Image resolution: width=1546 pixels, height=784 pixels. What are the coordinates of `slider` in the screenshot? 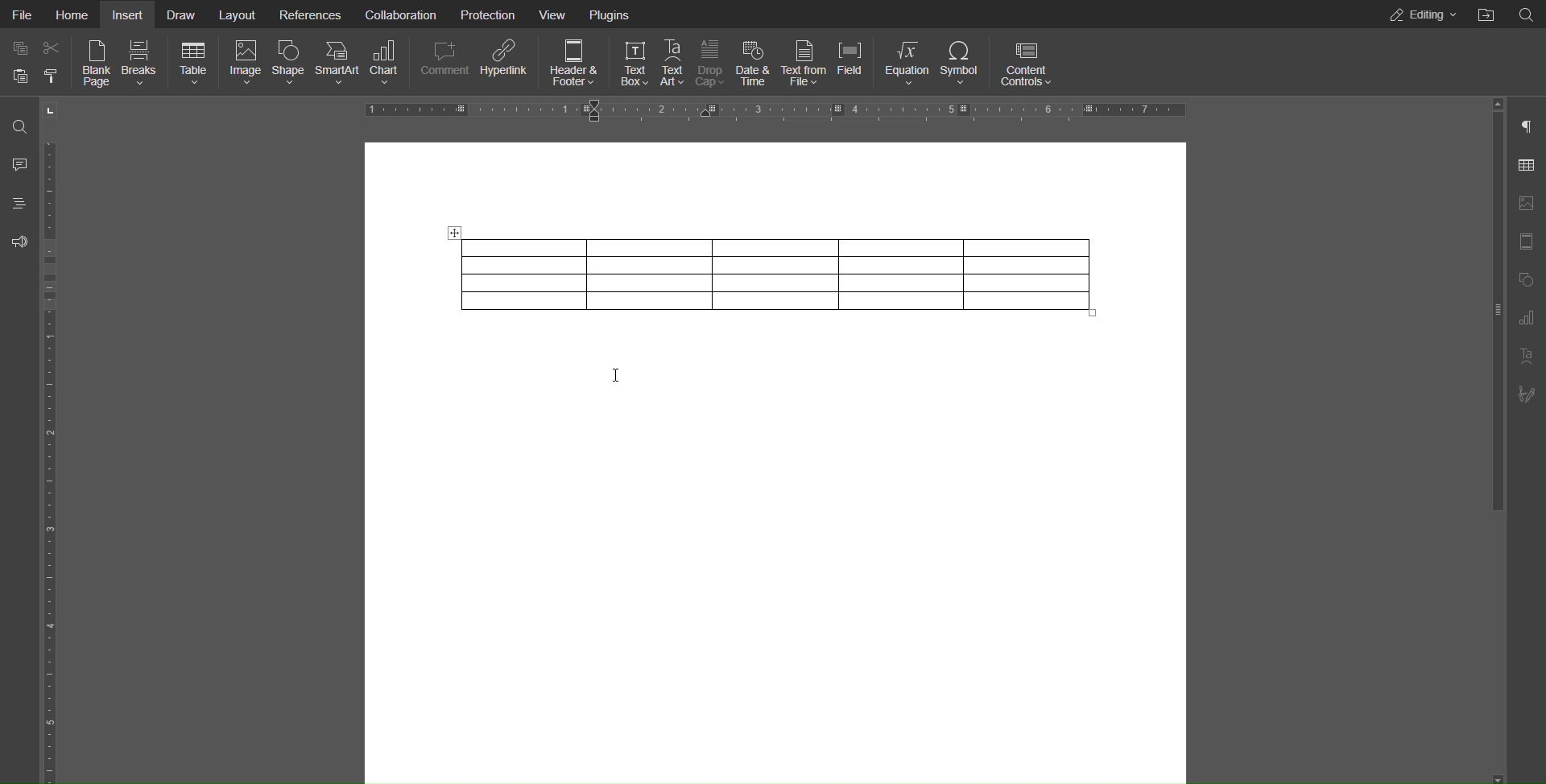 It's located at (1485, 316).